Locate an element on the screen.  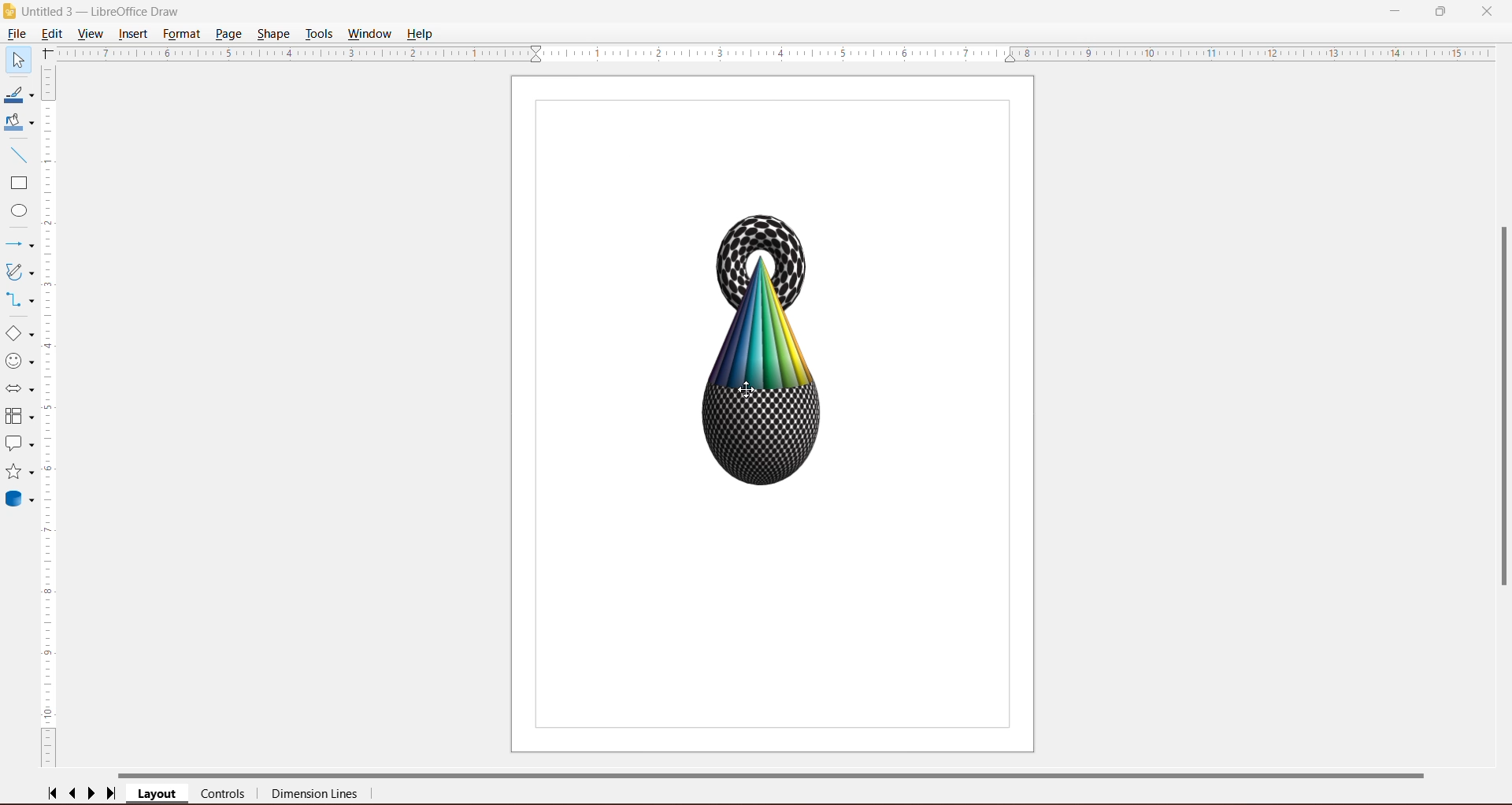
Format is located at coordinates (181, 35).